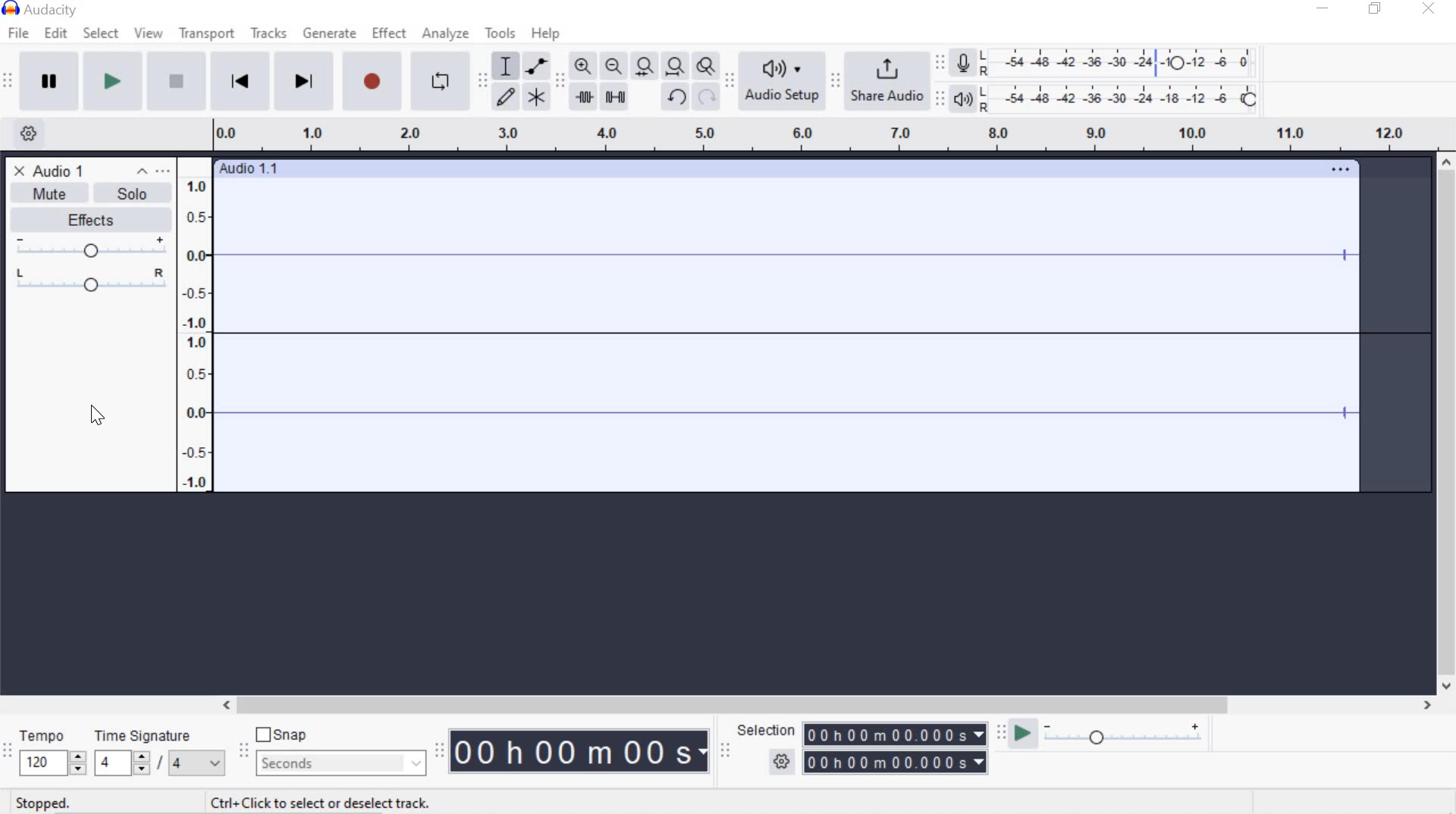 Image resolution: width=1456 pixels, height=814 pixels. Describe the element at coordinates (99, 414) in the screenshot. I see `cursor` at that location.